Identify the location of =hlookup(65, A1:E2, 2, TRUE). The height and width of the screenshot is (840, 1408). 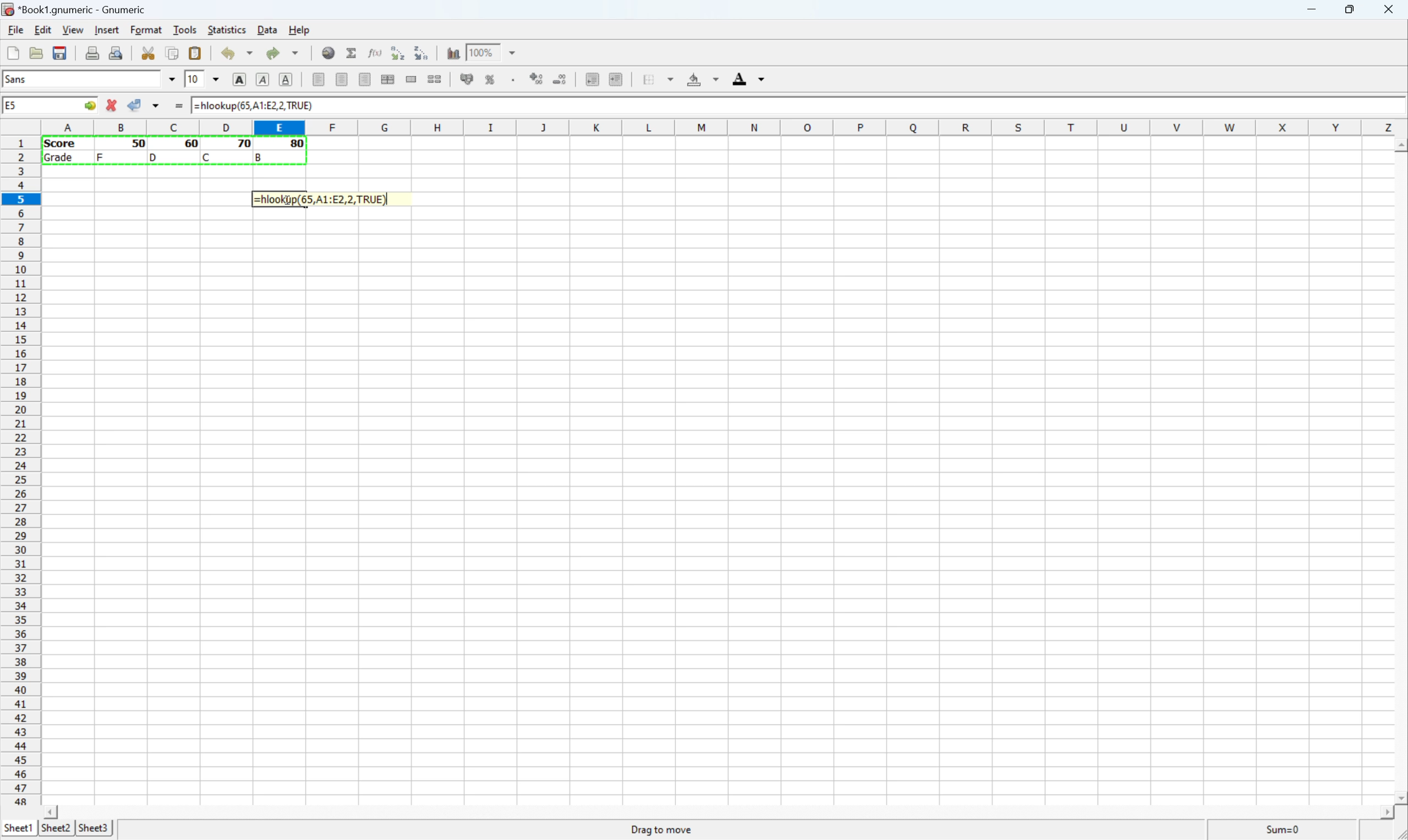
(258, 104).